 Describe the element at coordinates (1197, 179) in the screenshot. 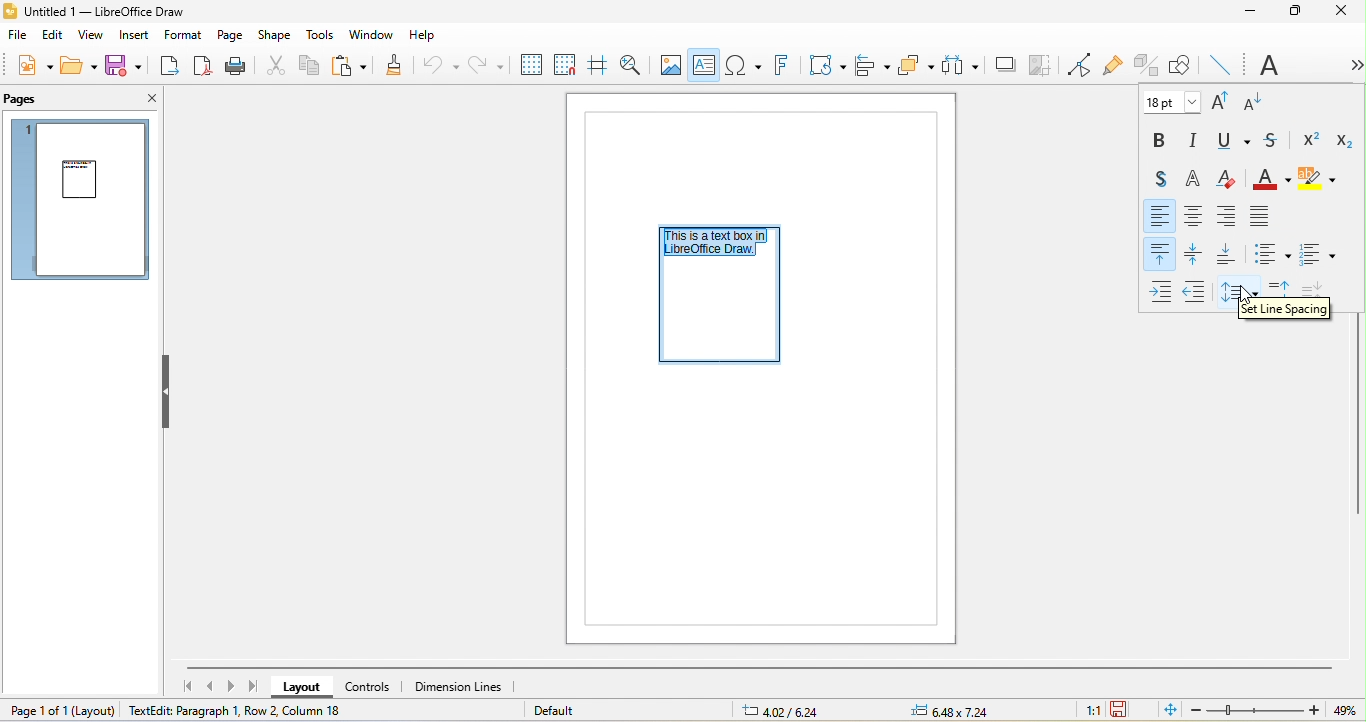

I see `apply outline` at that location.